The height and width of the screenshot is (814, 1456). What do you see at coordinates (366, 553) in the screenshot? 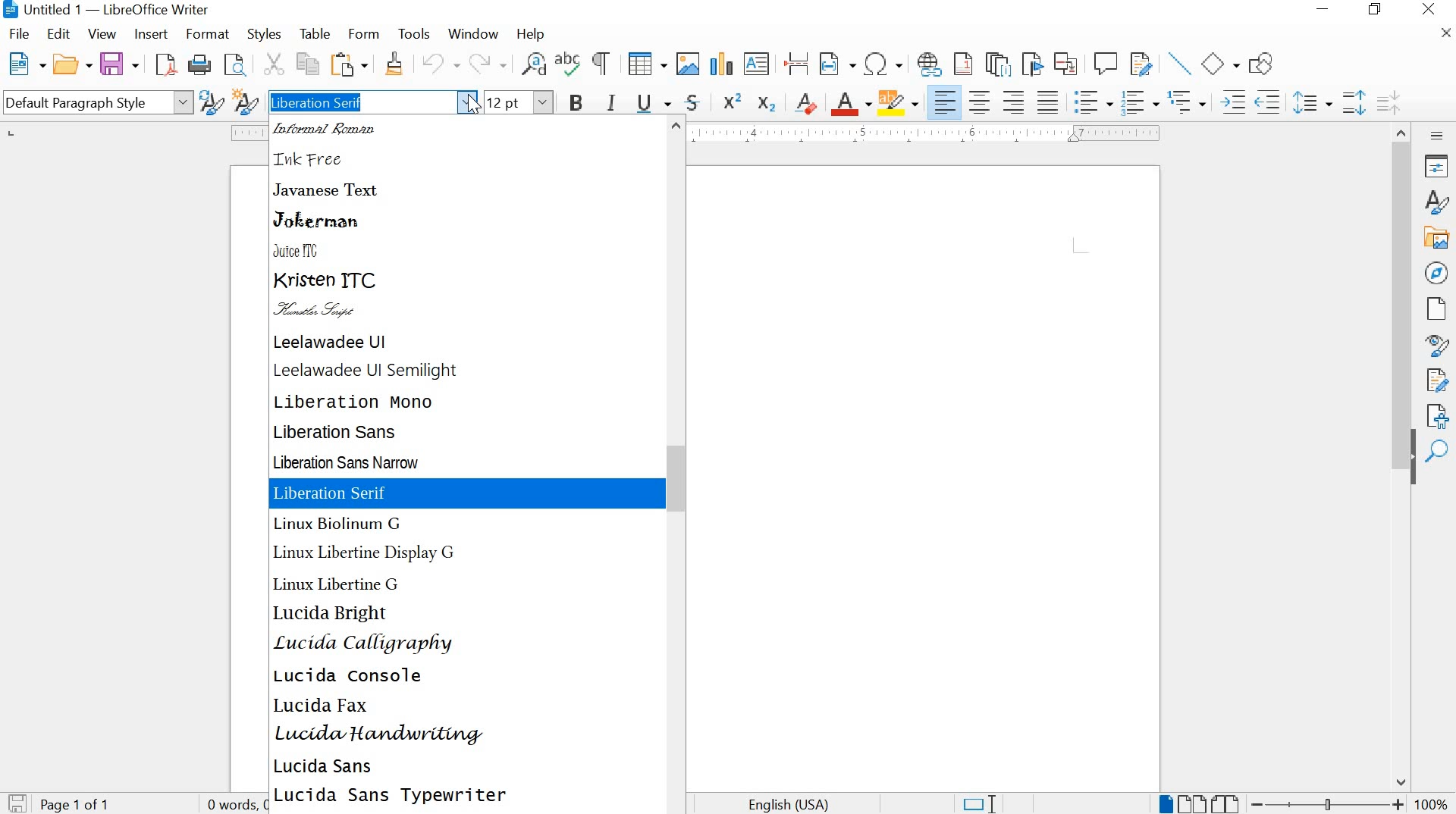
I see `LINUX LIBERTINE DISPLAY G` at bounding box center [366, 553].